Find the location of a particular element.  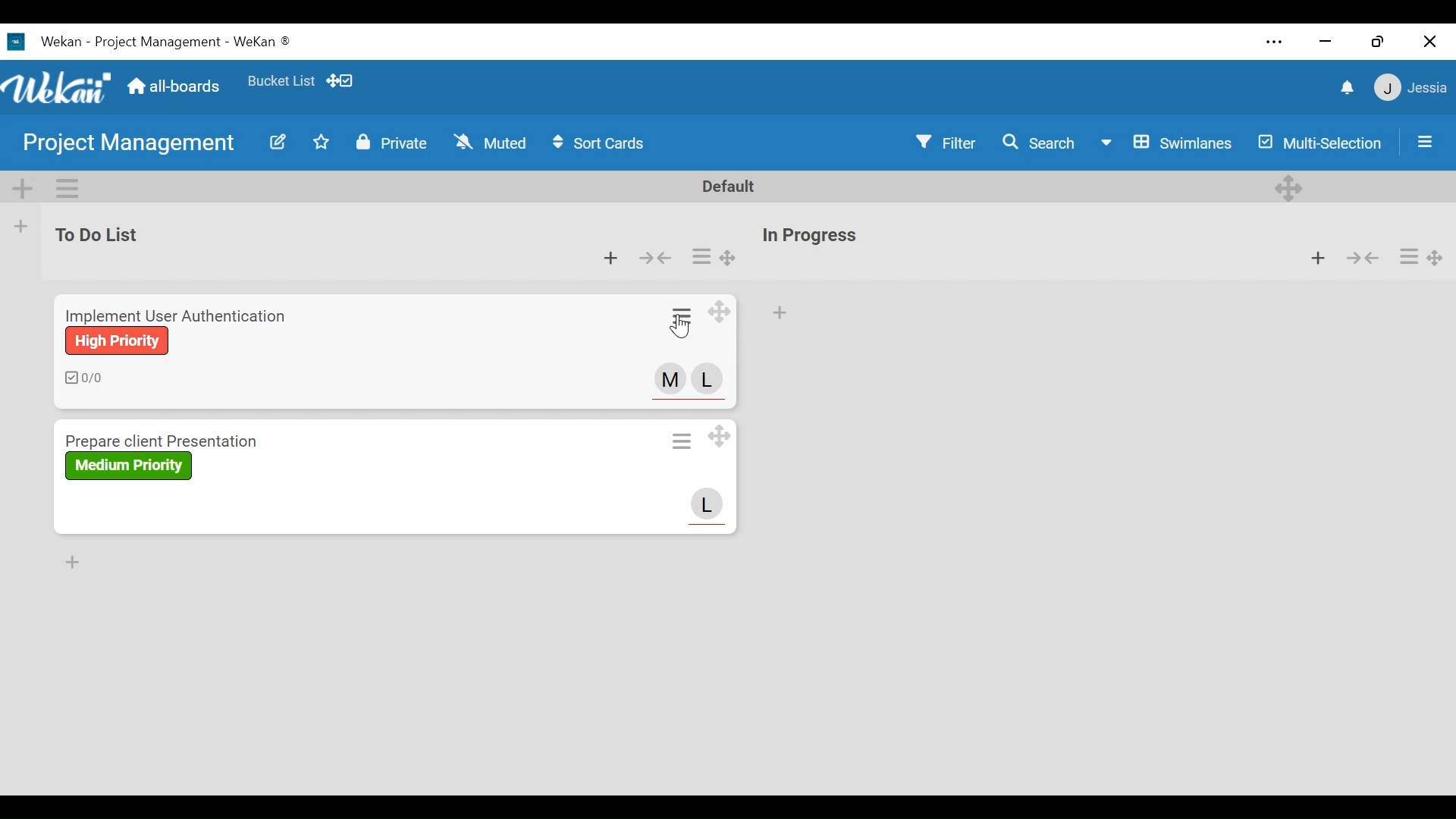

Collapse is located at coordinates (657, 258).